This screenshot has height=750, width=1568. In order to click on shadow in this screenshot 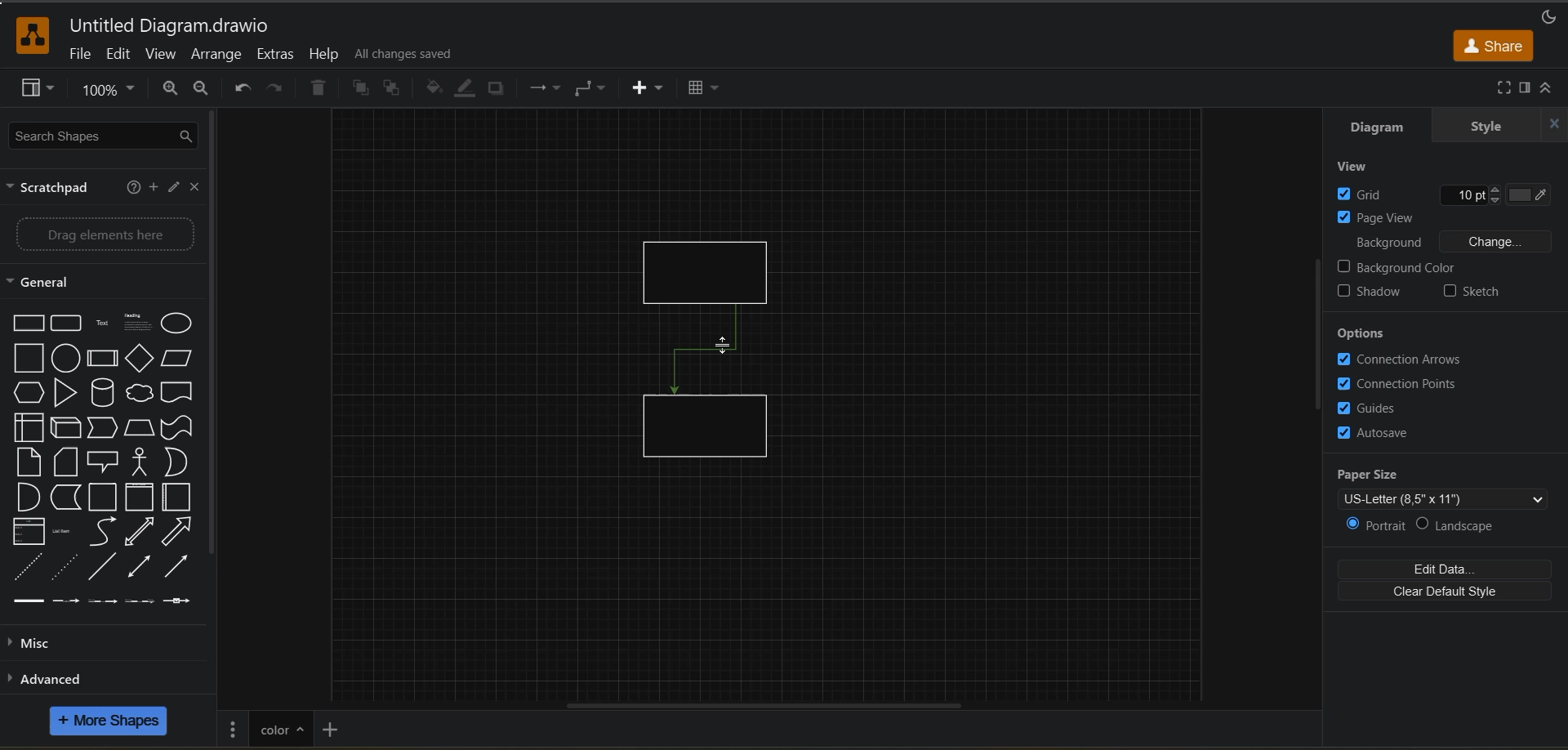, I will do `click(501, 89)`.